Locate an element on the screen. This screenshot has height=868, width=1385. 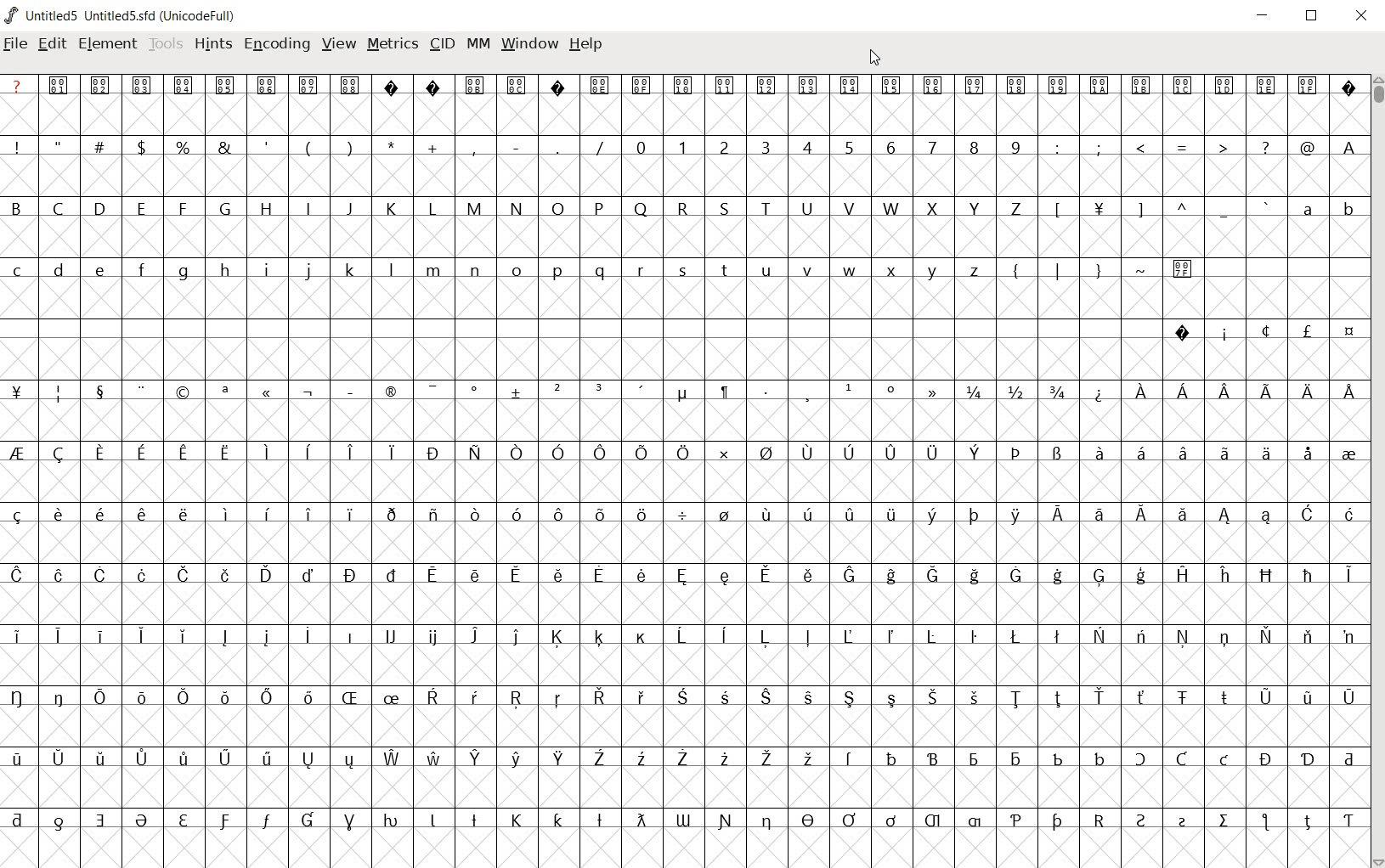
Symbol is located at coordinates (766, 640).